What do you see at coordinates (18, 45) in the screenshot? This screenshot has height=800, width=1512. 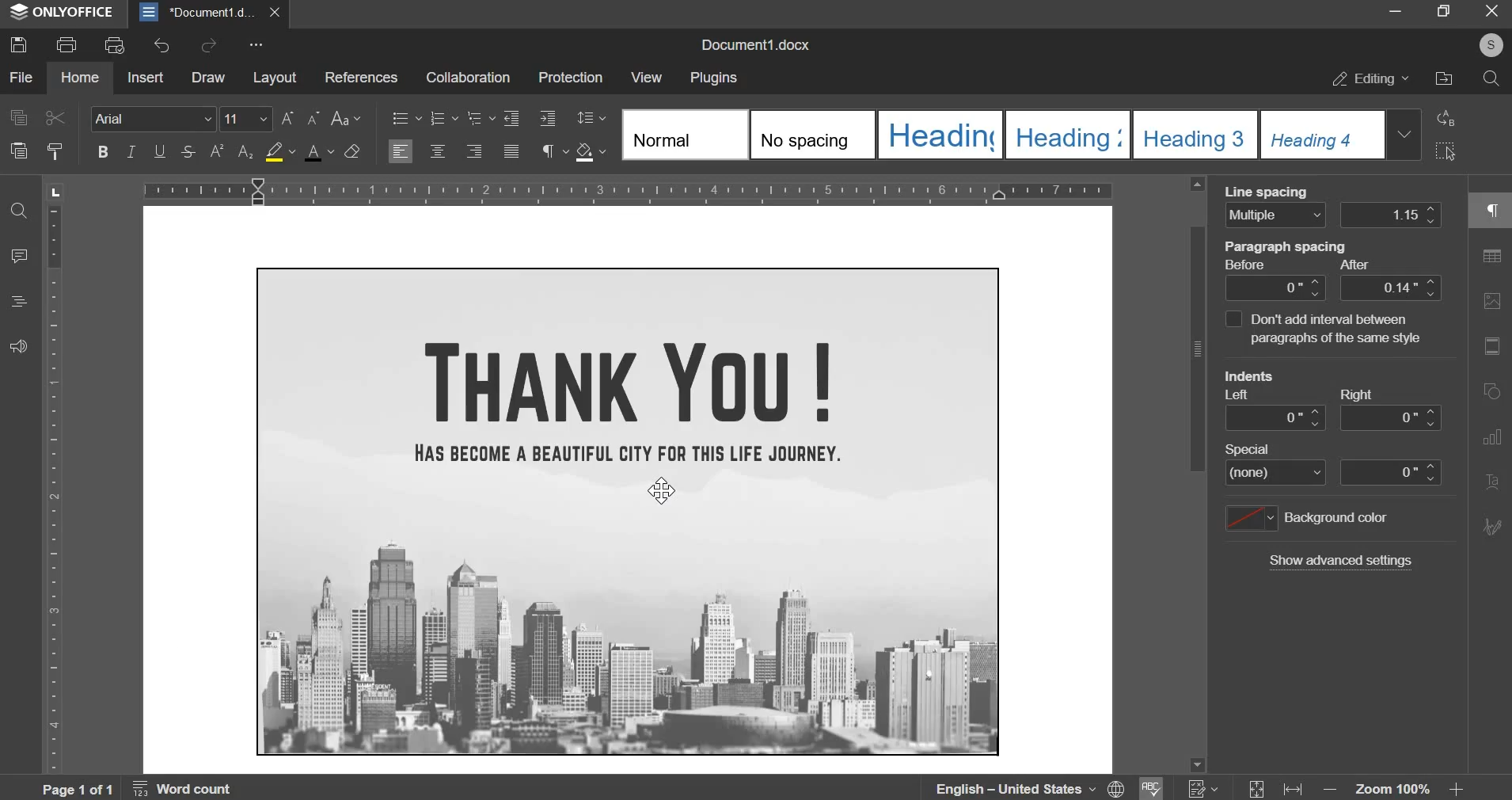 I see `save` at bounding box center [18, 45].